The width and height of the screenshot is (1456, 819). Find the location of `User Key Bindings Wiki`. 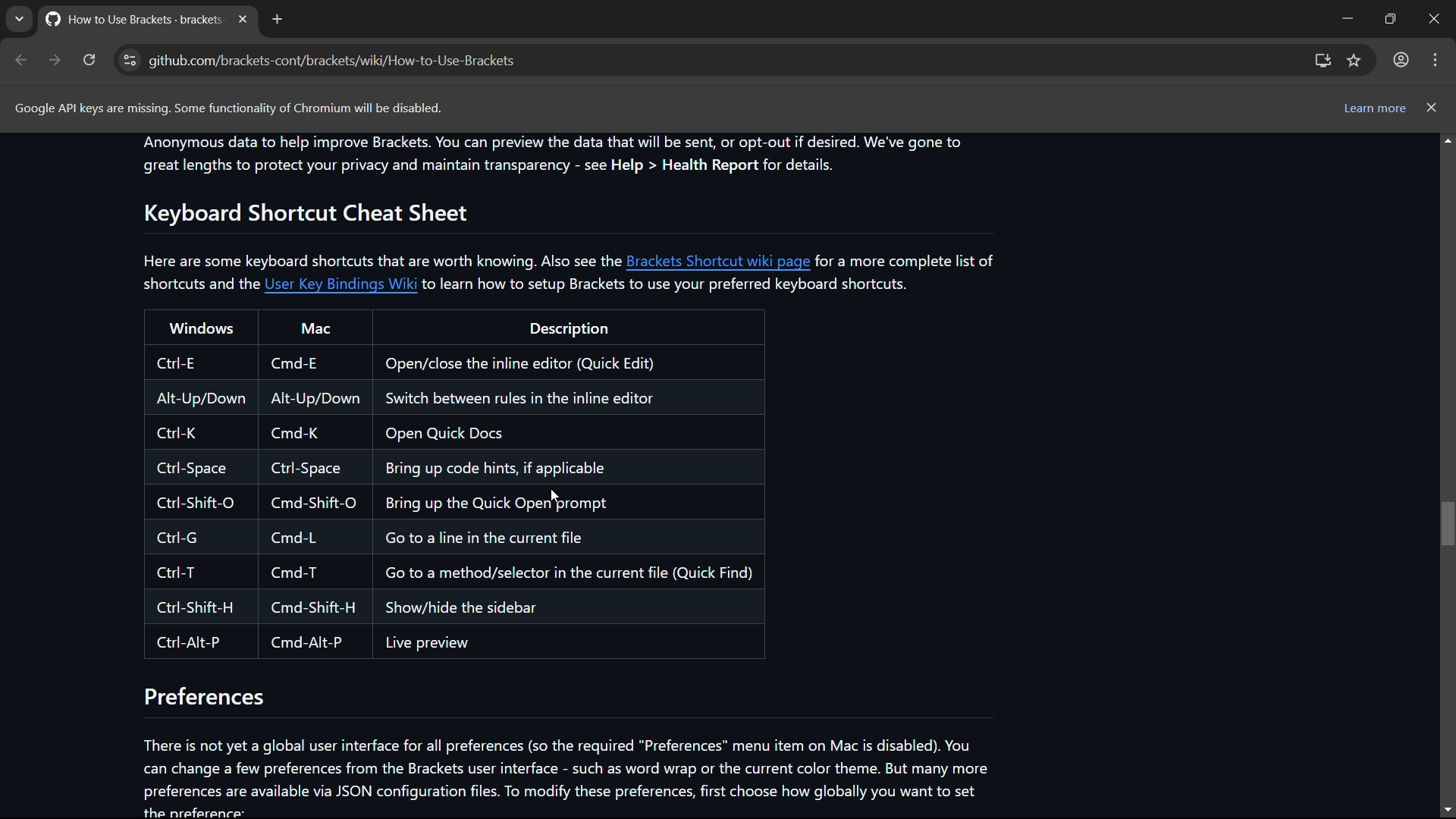

User Key Bindings Wiki is located at coordinates (341, 284).